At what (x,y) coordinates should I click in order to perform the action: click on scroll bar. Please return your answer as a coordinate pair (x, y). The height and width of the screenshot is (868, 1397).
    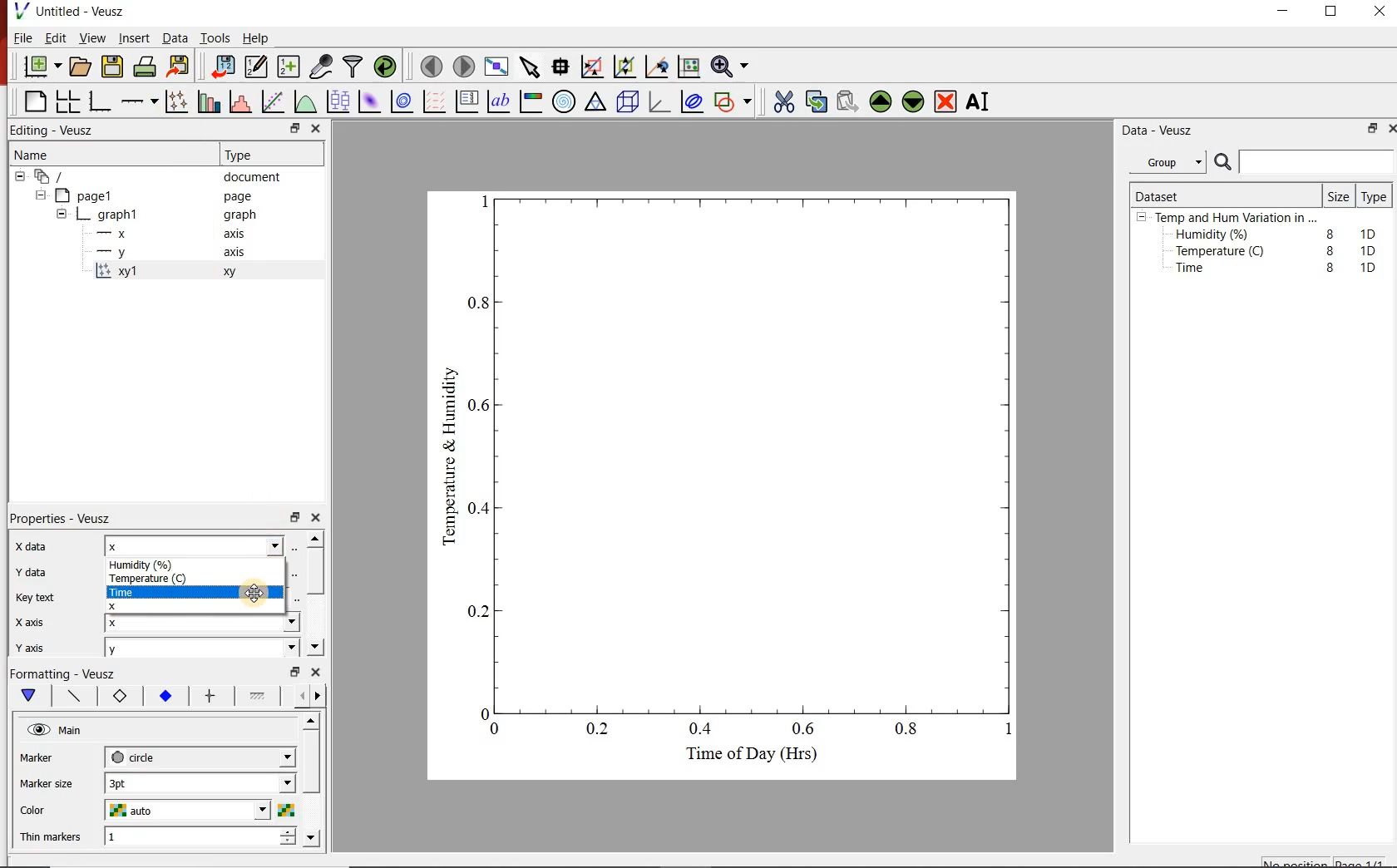
    Looking at the image, I should click on (318, 591).